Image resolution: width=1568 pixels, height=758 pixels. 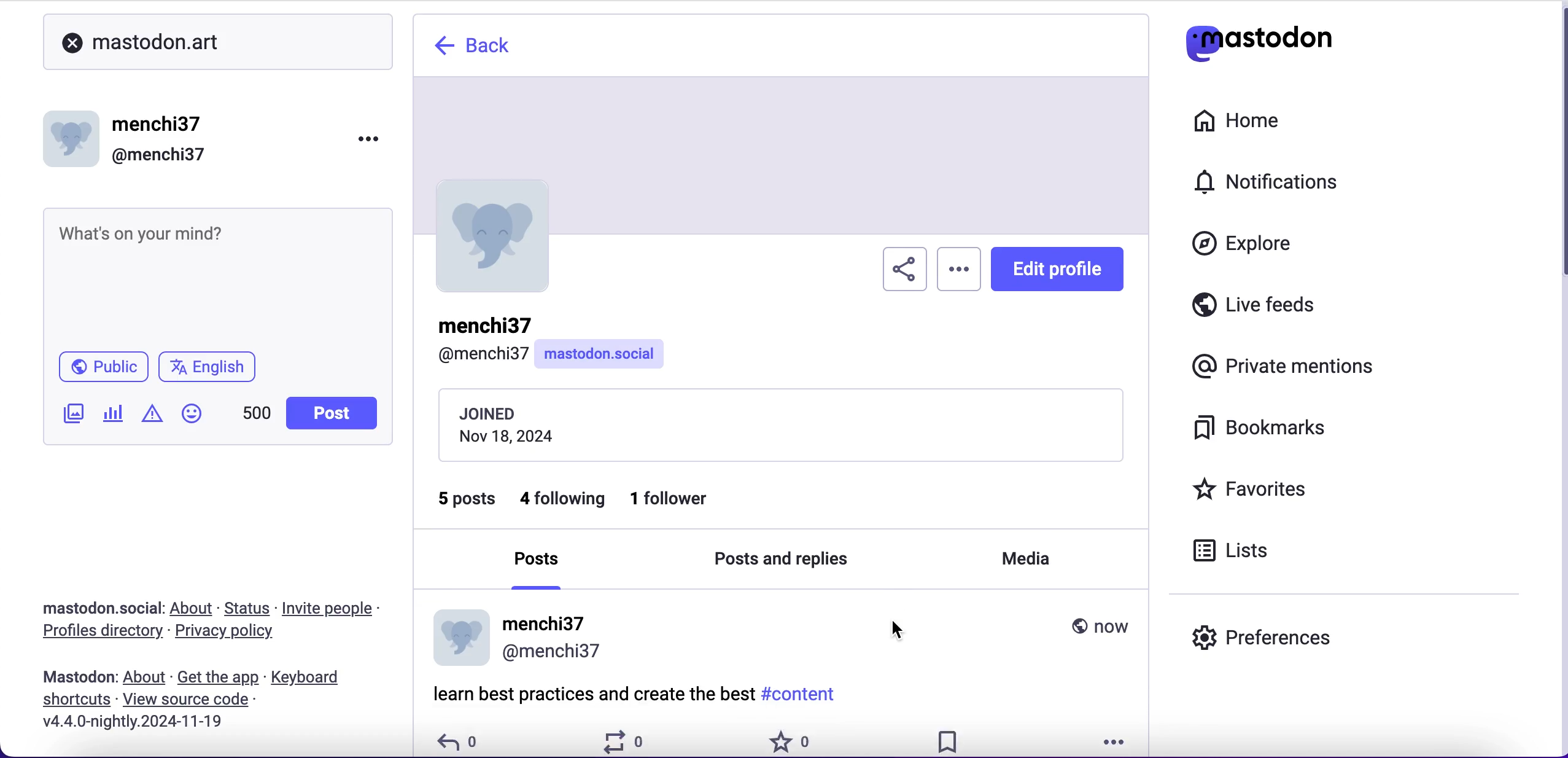 I want to click on mastodon.social, so click(x=96, y=606).